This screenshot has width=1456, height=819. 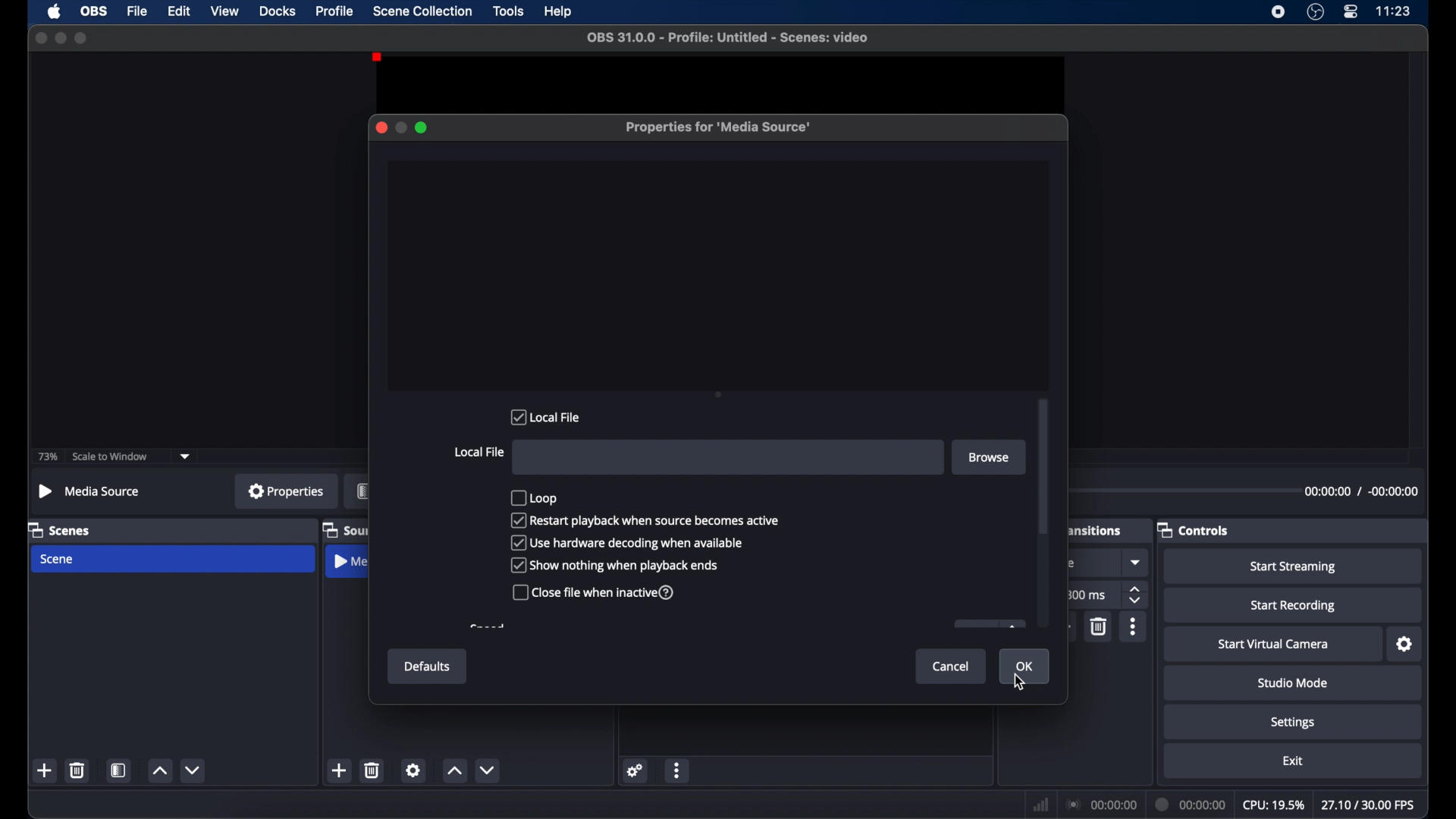 I want to click on no source selected, so click(x=90, y=491).